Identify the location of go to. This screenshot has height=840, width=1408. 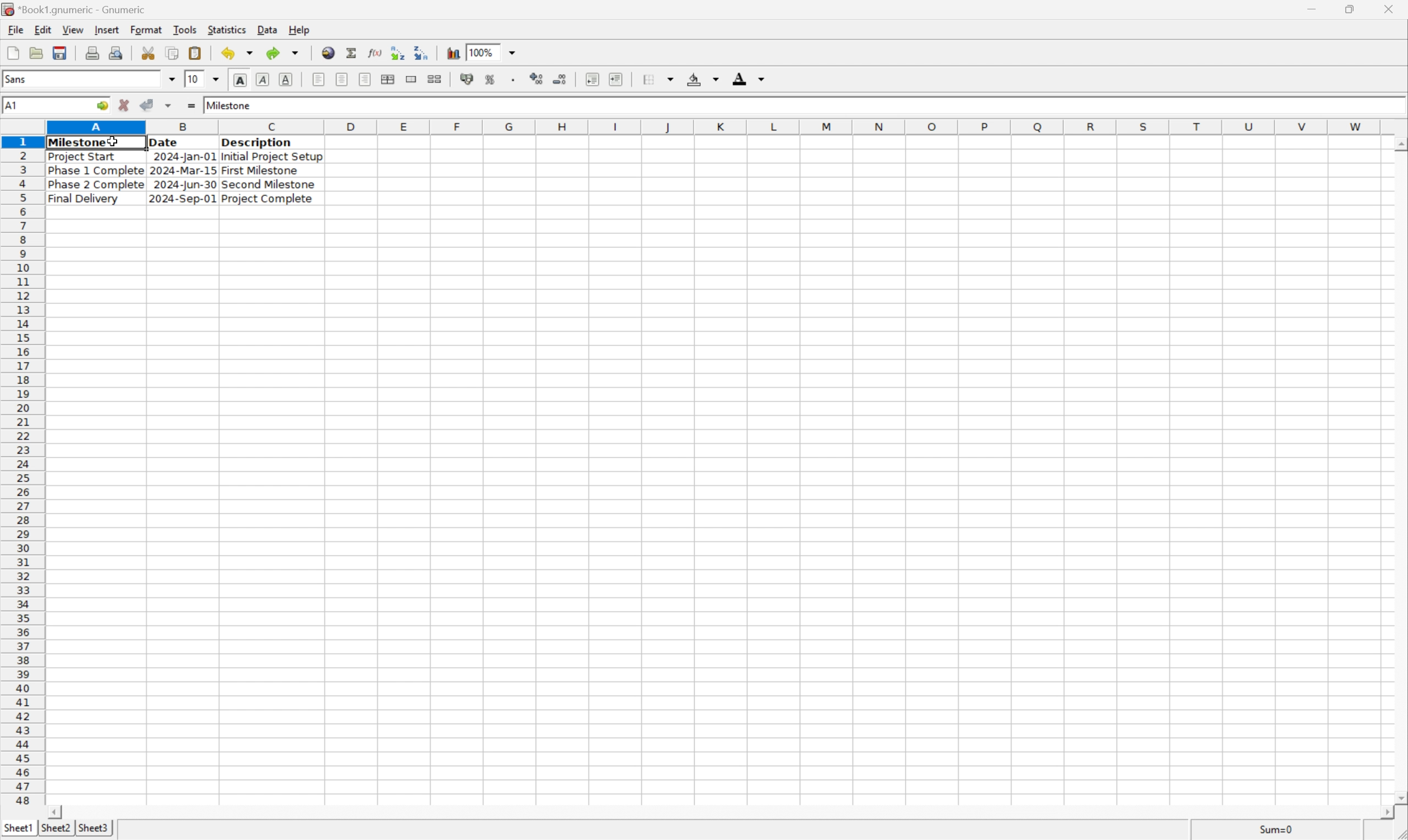
(100, 106).